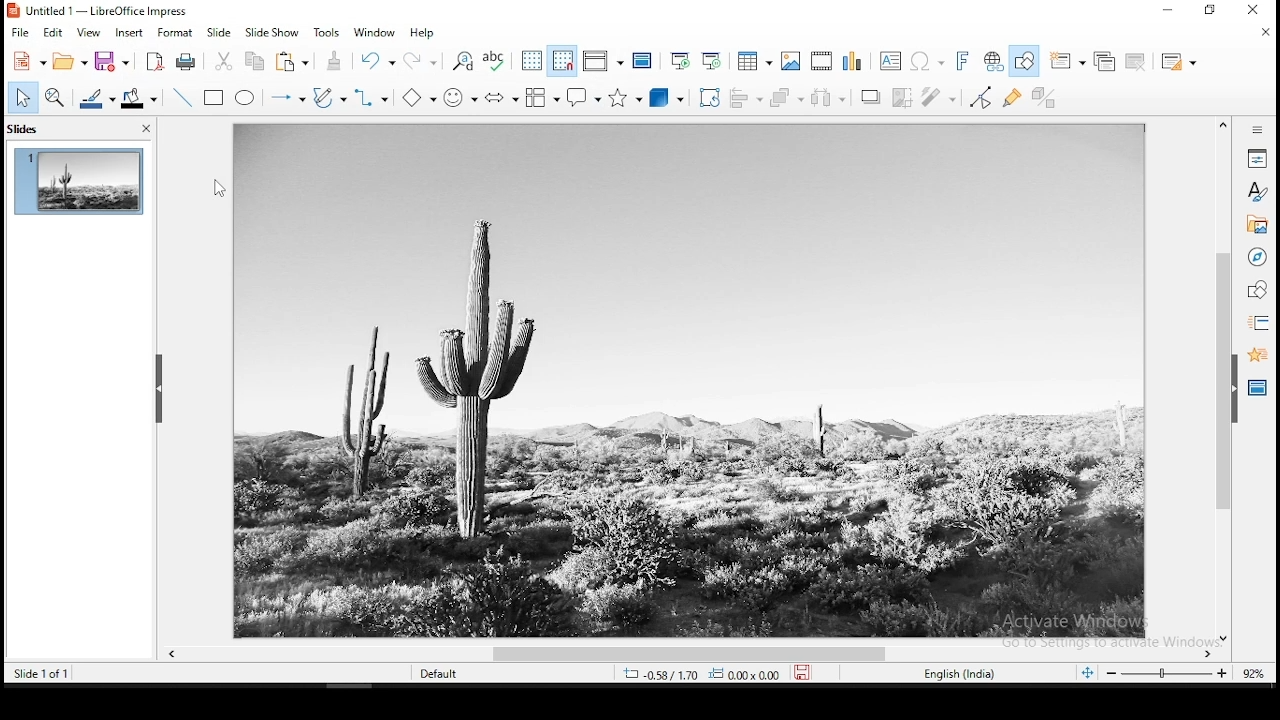 This screenshot has width=1280, height=720. Describe the element at coordinates (98, 98) in the screenshot. I see `line color` at that location.